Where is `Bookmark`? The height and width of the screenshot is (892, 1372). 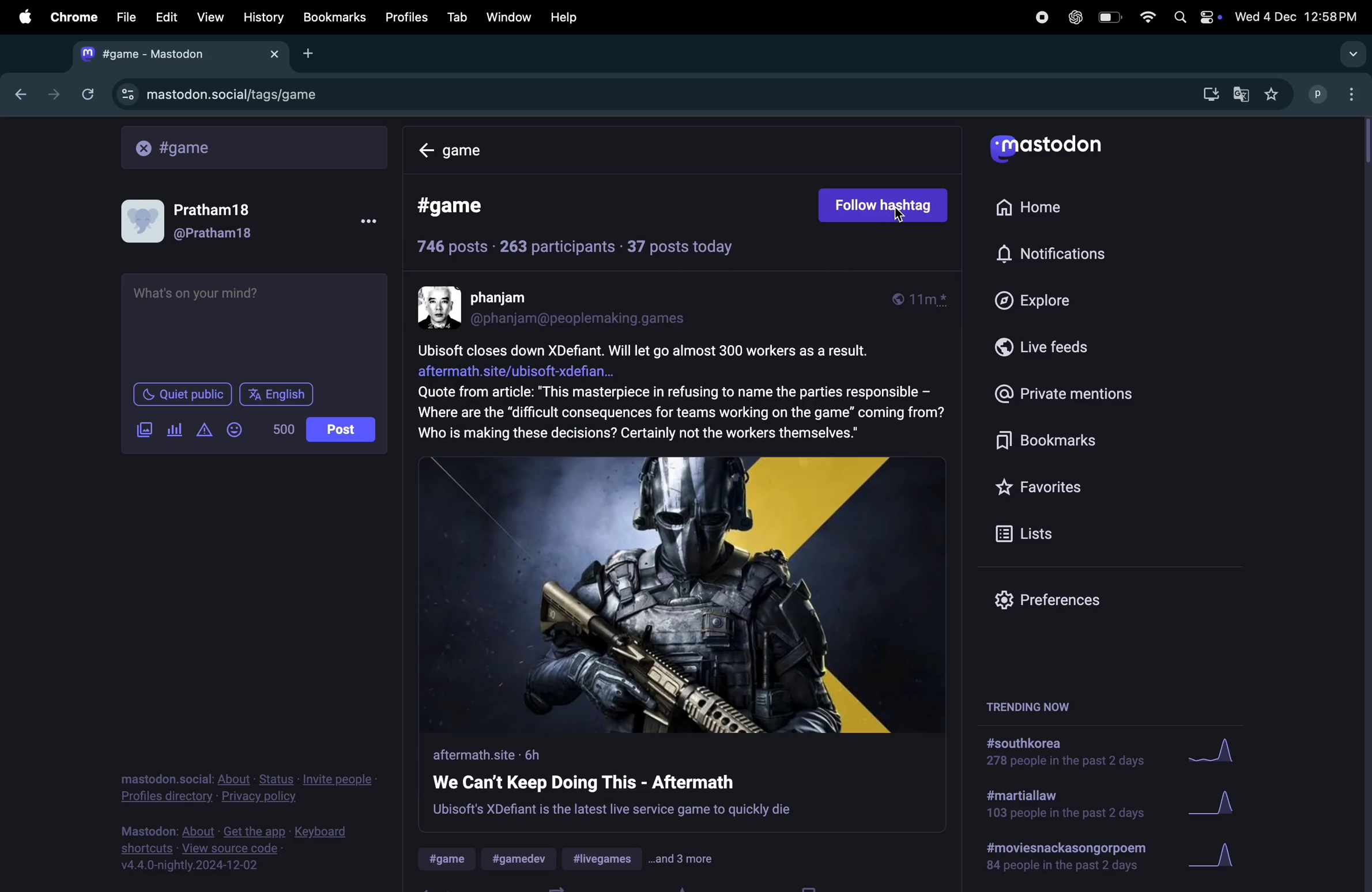 Bookmark is located at coordinates (336, 18).